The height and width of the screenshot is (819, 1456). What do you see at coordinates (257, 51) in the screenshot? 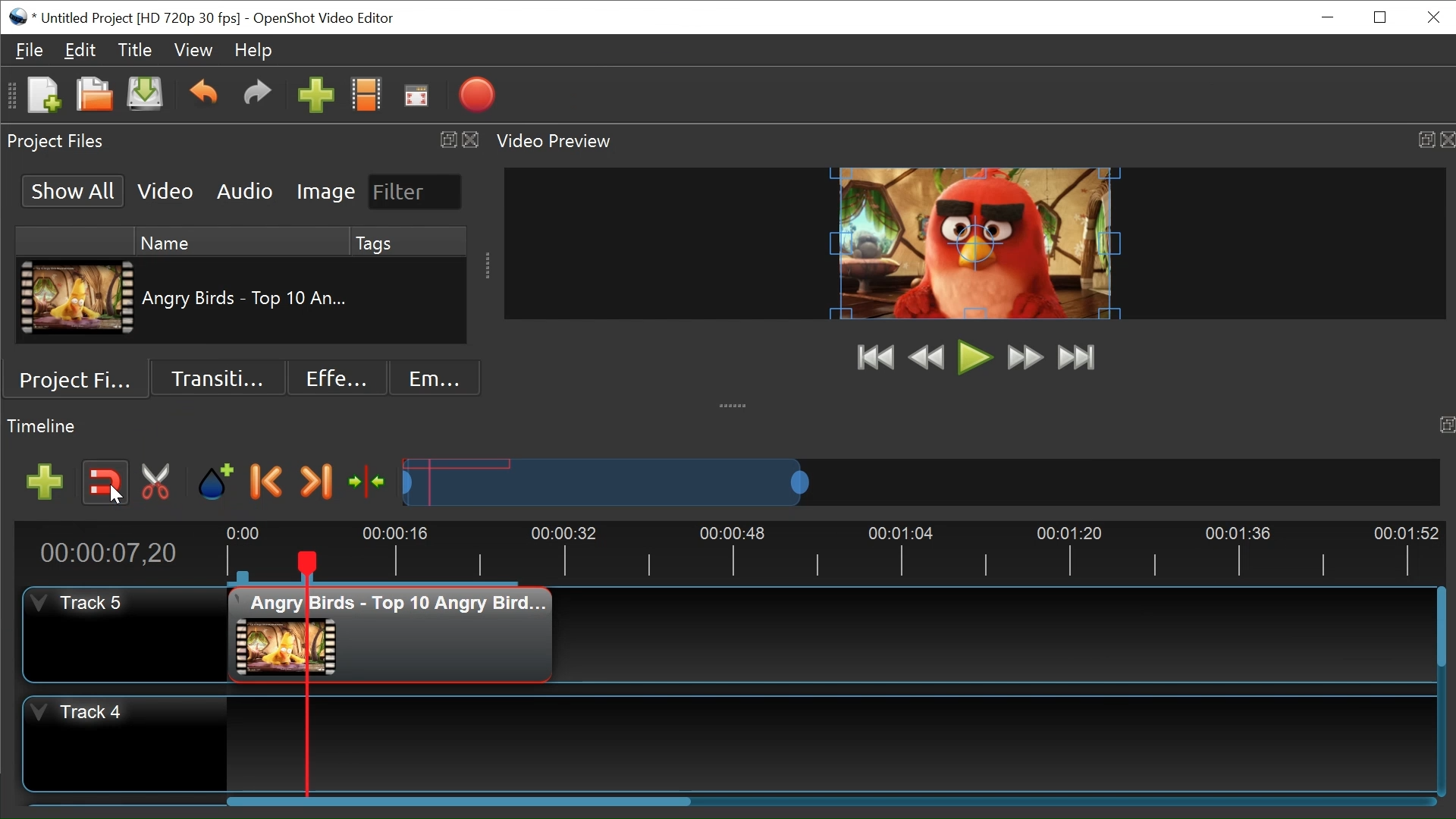
I see `Help` at bounding box center [257, 51].